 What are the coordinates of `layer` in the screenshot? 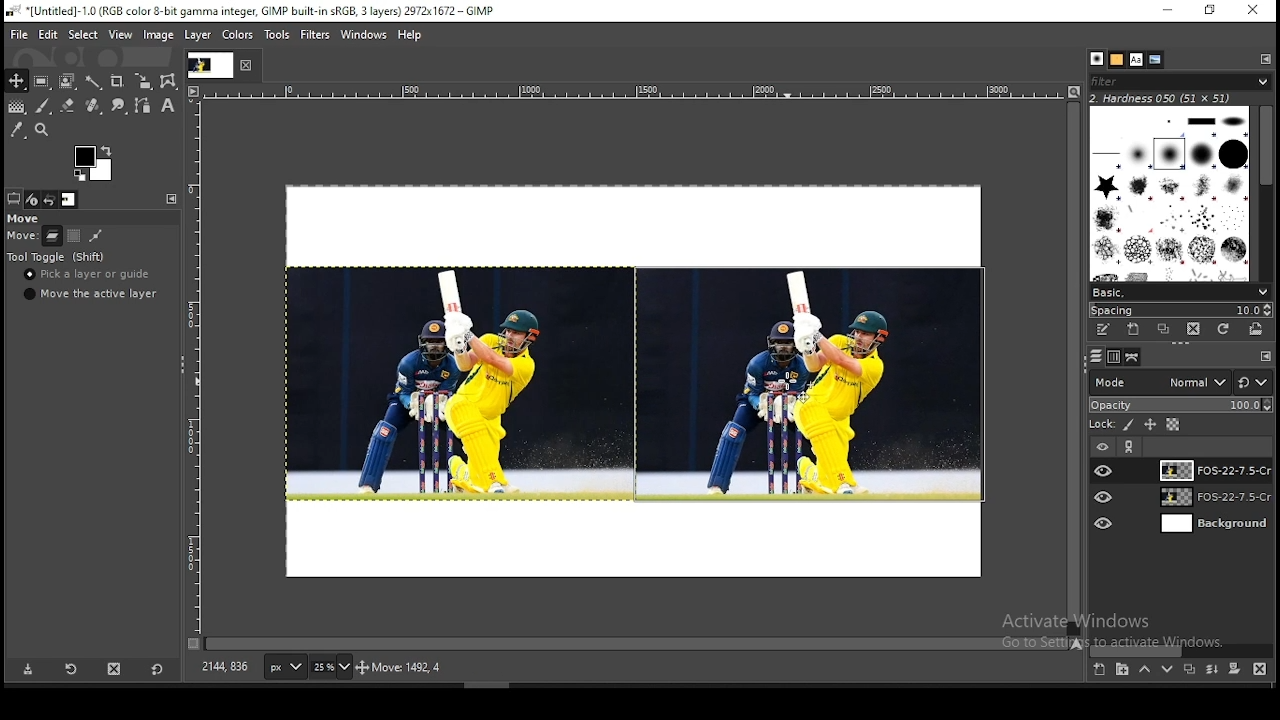 It's located at (1213, 524).